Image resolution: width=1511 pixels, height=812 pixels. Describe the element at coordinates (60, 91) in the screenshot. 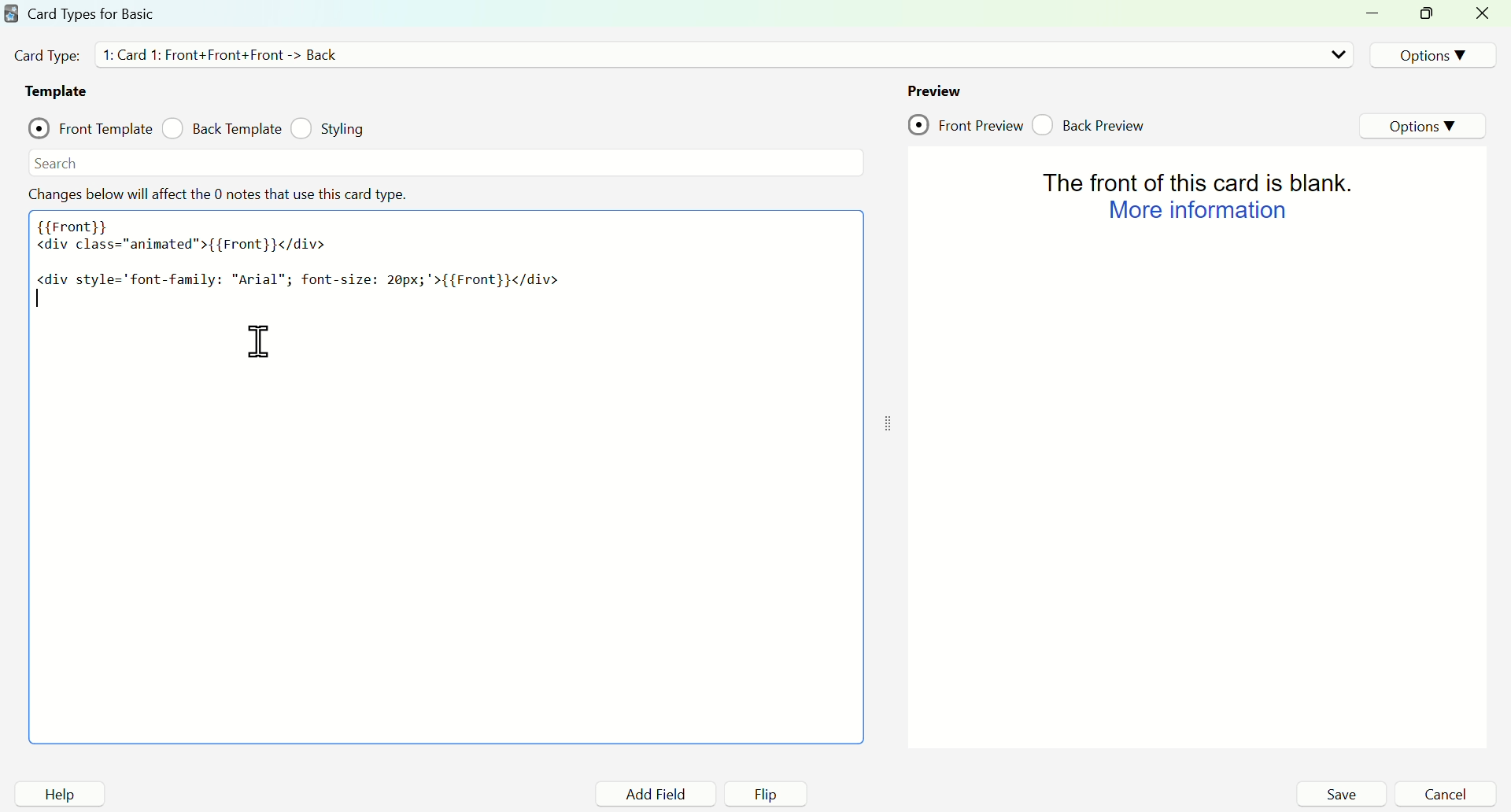

I see `Template` at that location.